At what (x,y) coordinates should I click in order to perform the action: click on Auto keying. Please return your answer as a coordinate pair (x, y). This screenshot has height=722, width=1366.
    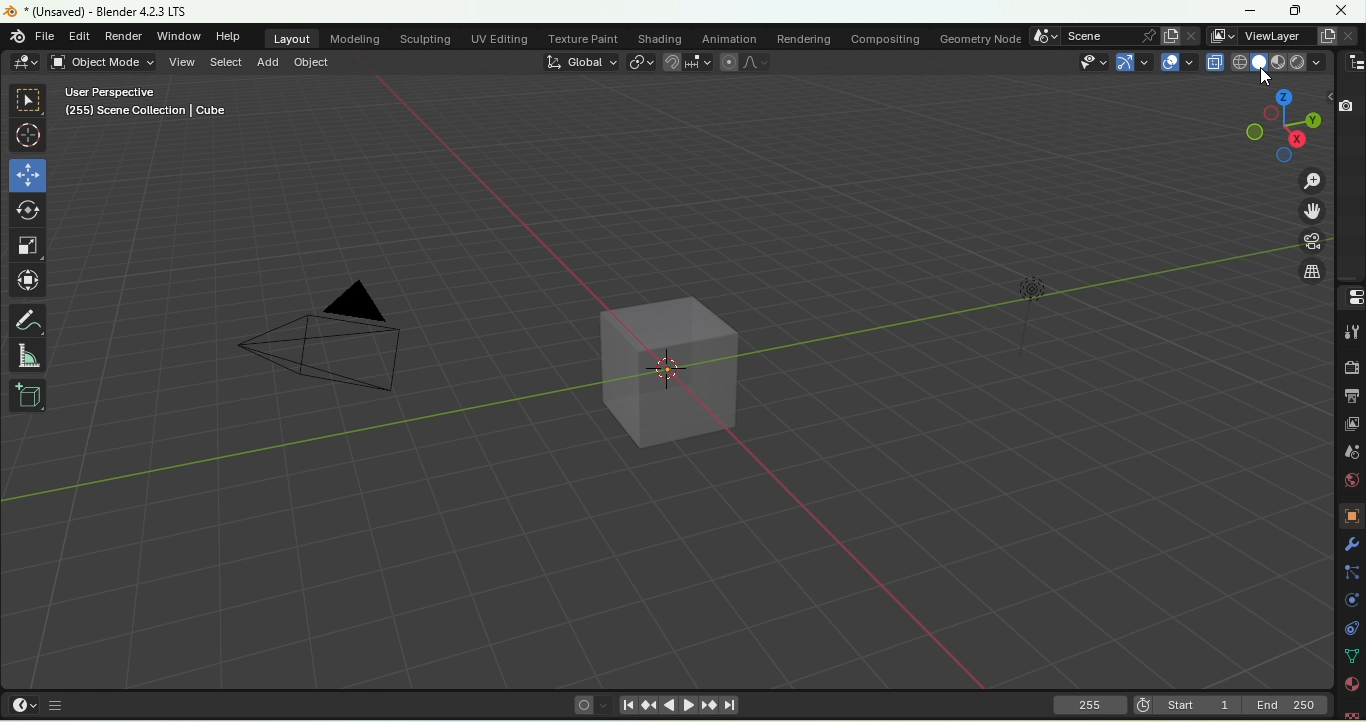
    Looking at the image, I should click on (584, 707).